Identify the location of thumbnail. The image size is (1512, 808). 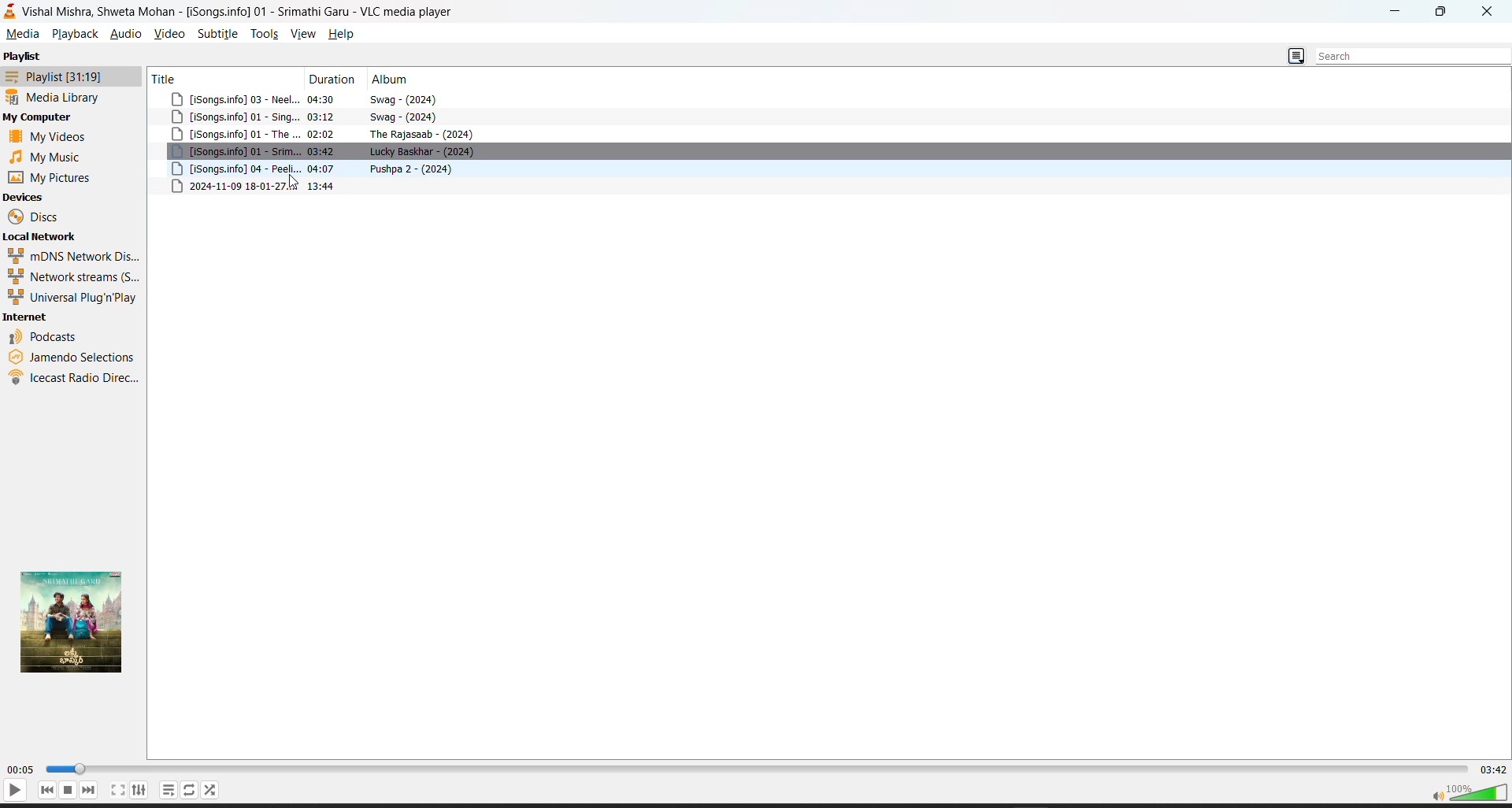
(72, 622).